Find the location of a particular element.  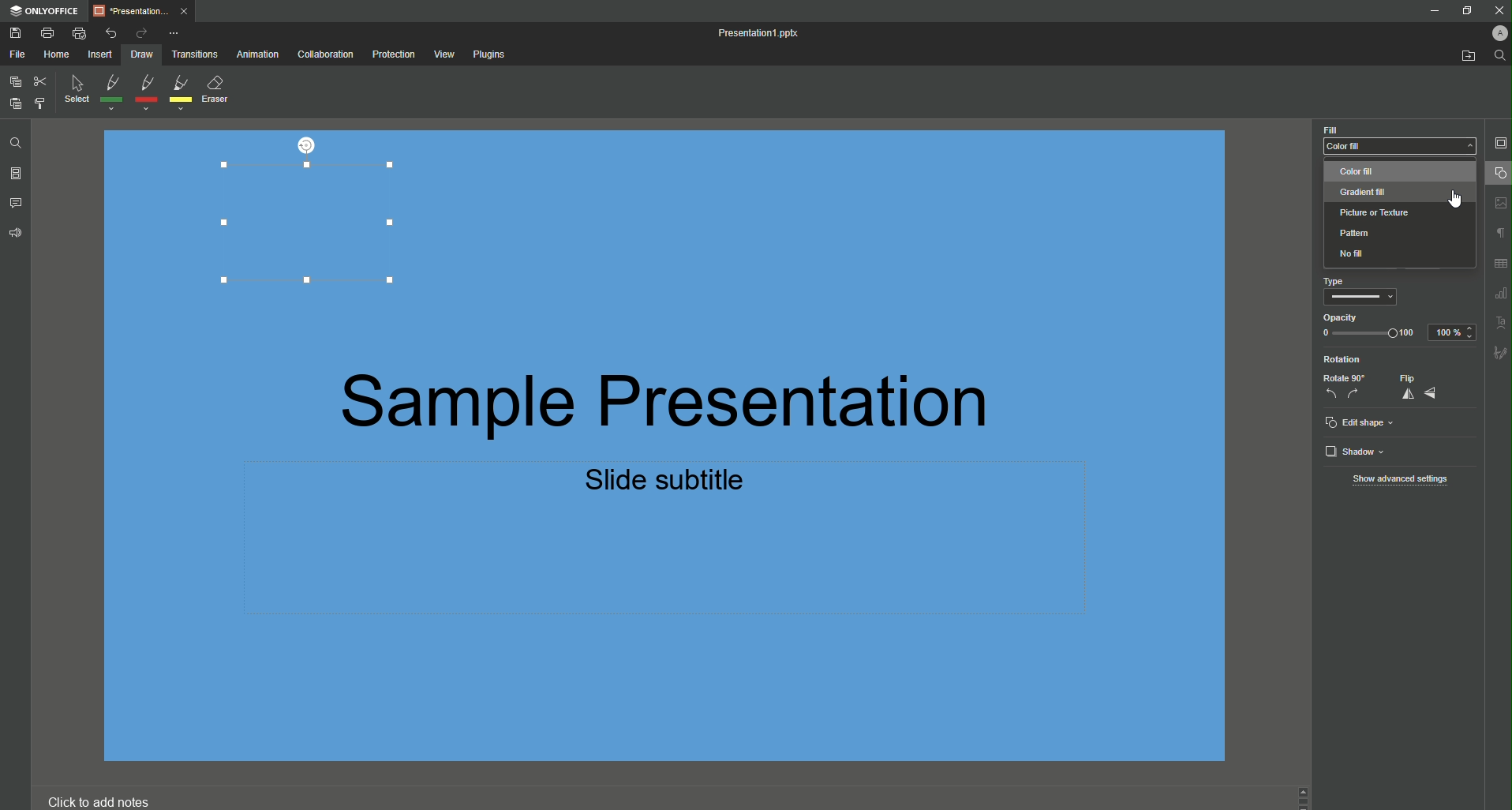

Pattern is located at coordinates (1360, 233).